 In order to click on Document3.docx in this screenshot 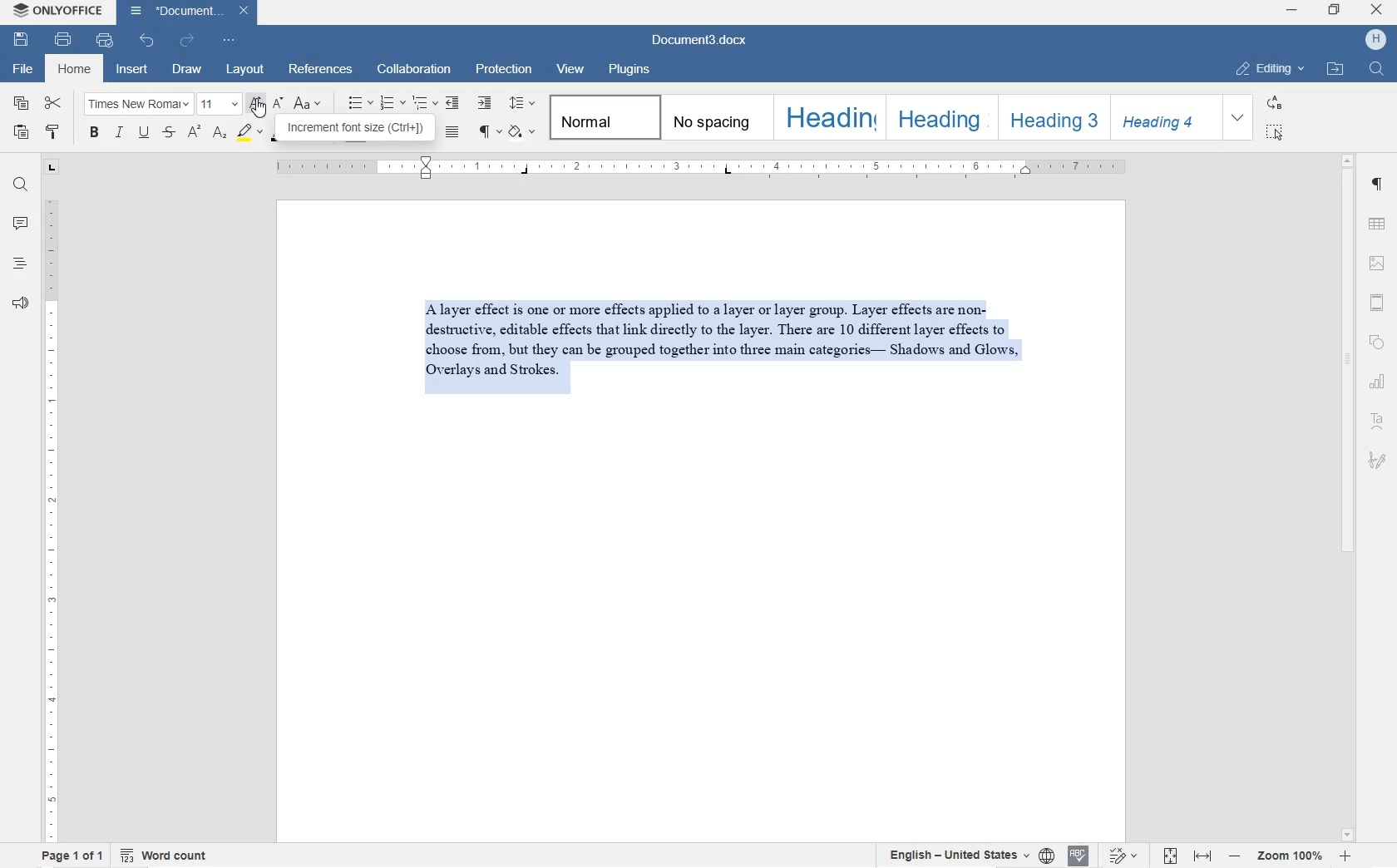, I will do `click(188, 12)`.